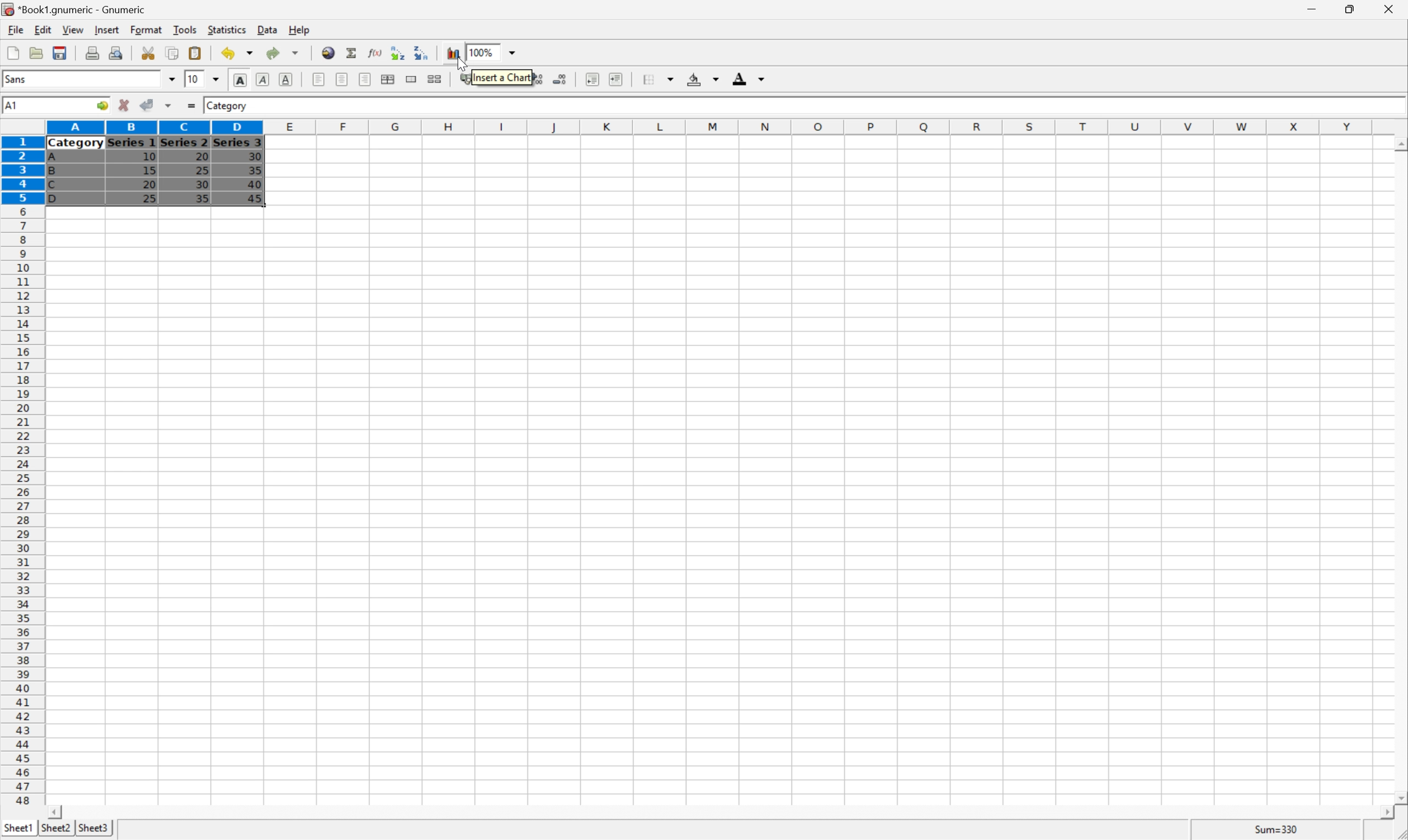  I want to click on Increase indent, and align the contents to the left, so click(615, 80).